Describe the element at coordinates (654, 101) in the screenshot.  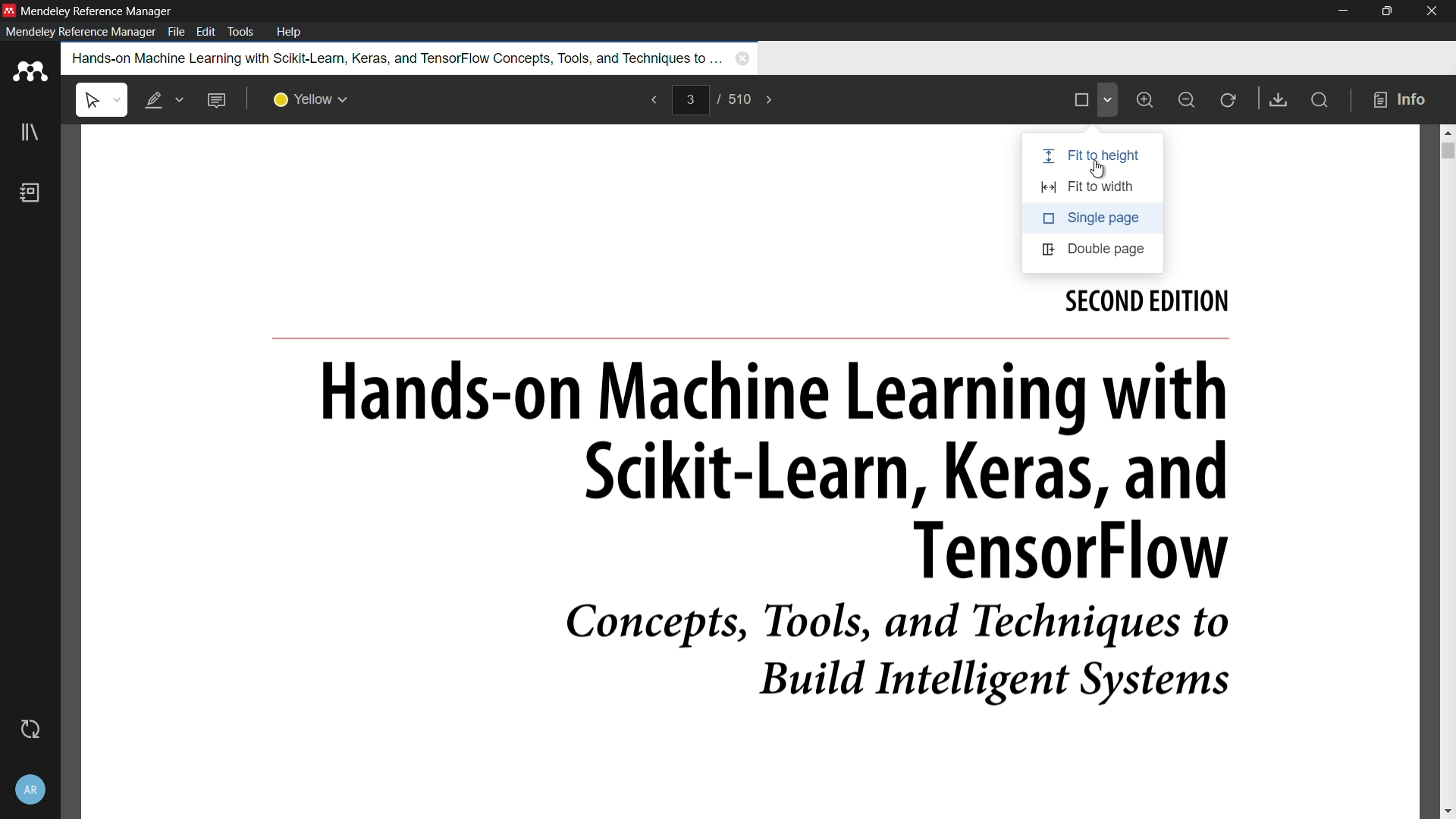
I see `previous page` at that location.